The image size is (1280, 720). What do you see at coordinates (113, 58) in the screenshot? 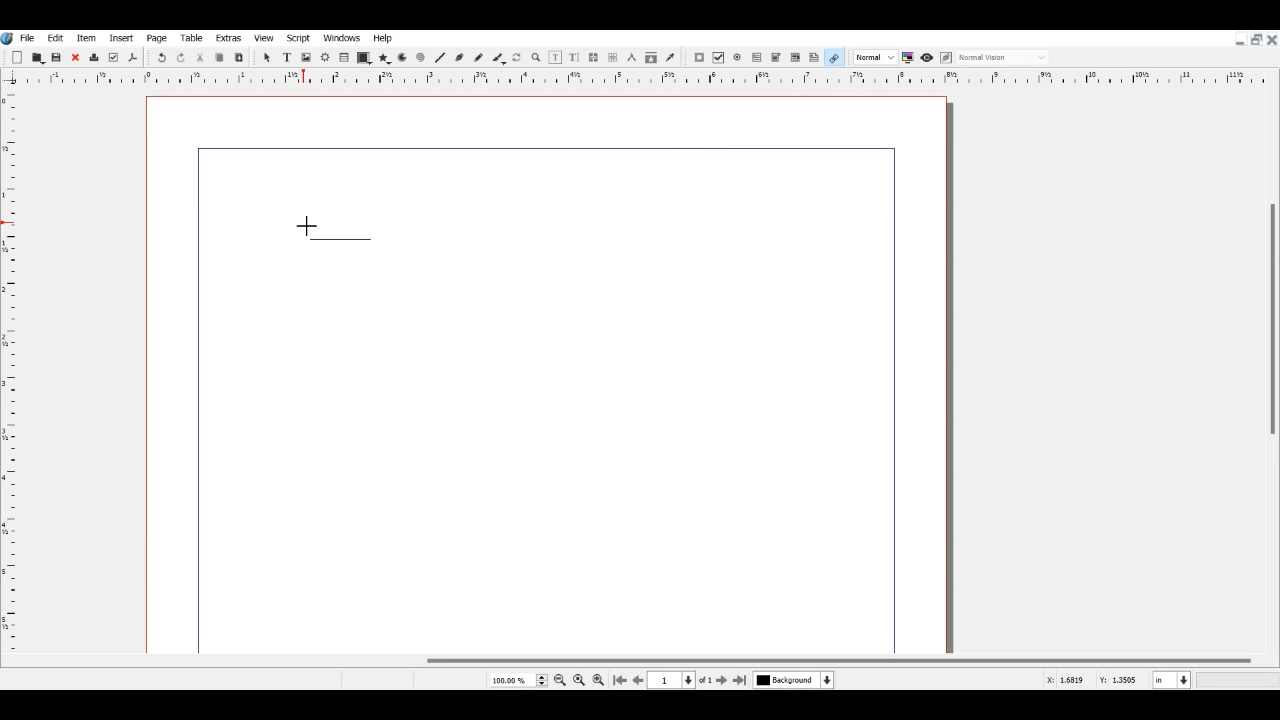
I see `Preflight verifier` at bounding box center [113, 58].